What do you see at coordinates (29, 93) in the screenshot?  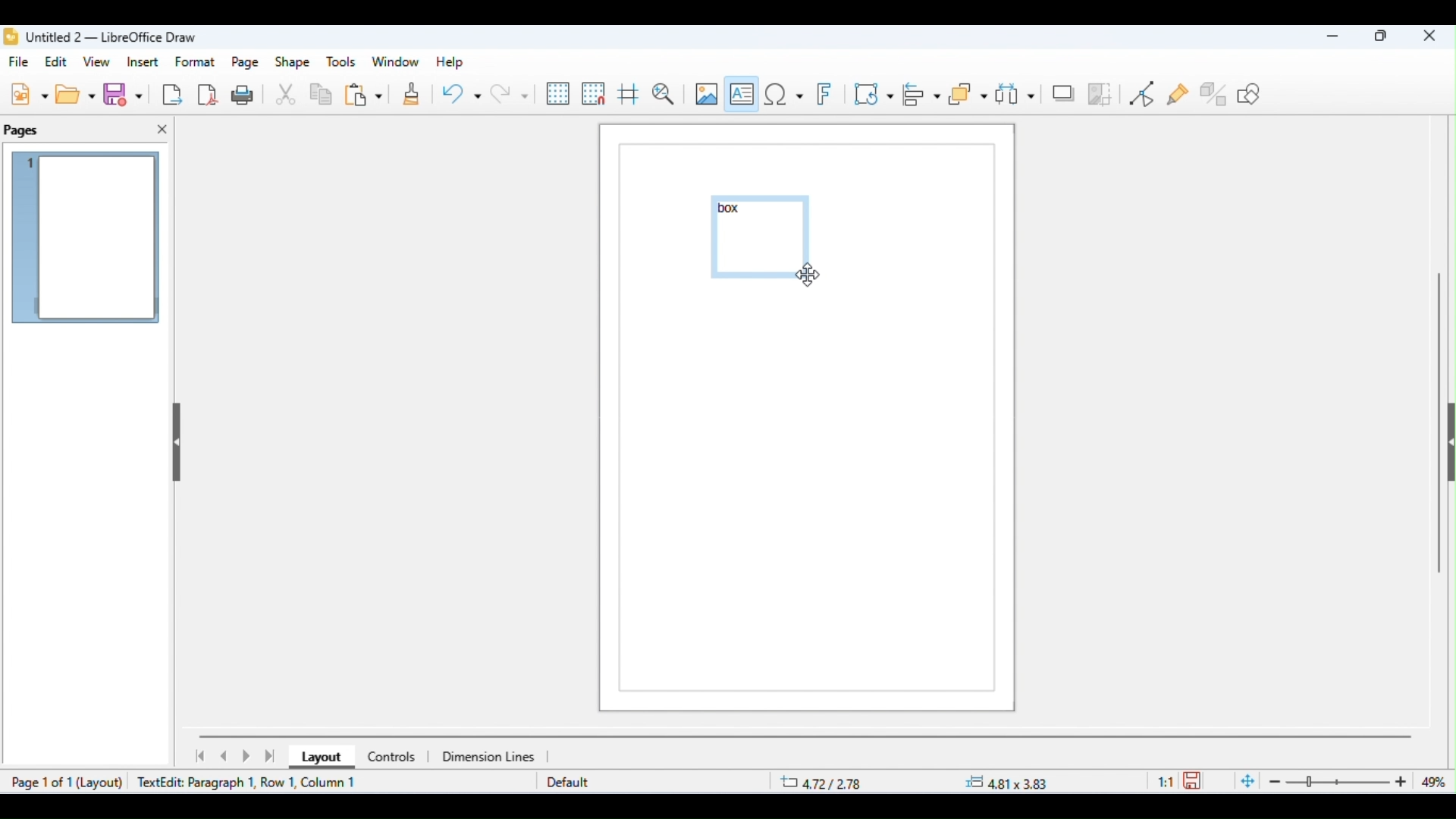 I see `new` at bounding box center [29, 93].